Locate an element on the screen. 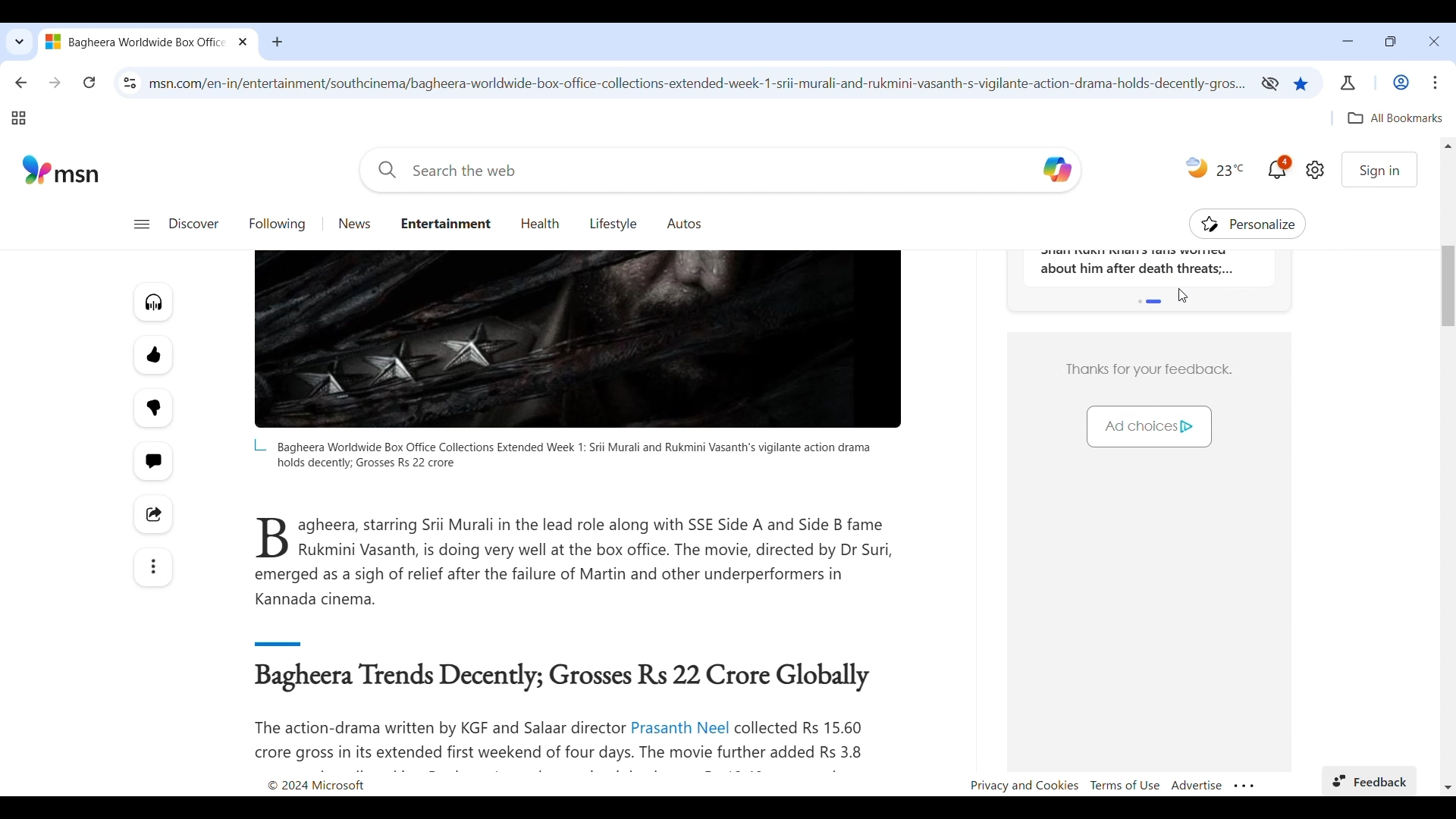 The height and width of the screenshot is (819, 1456). Indicates section shared by more than one feature of the page is located at coordinates (1151, 301).